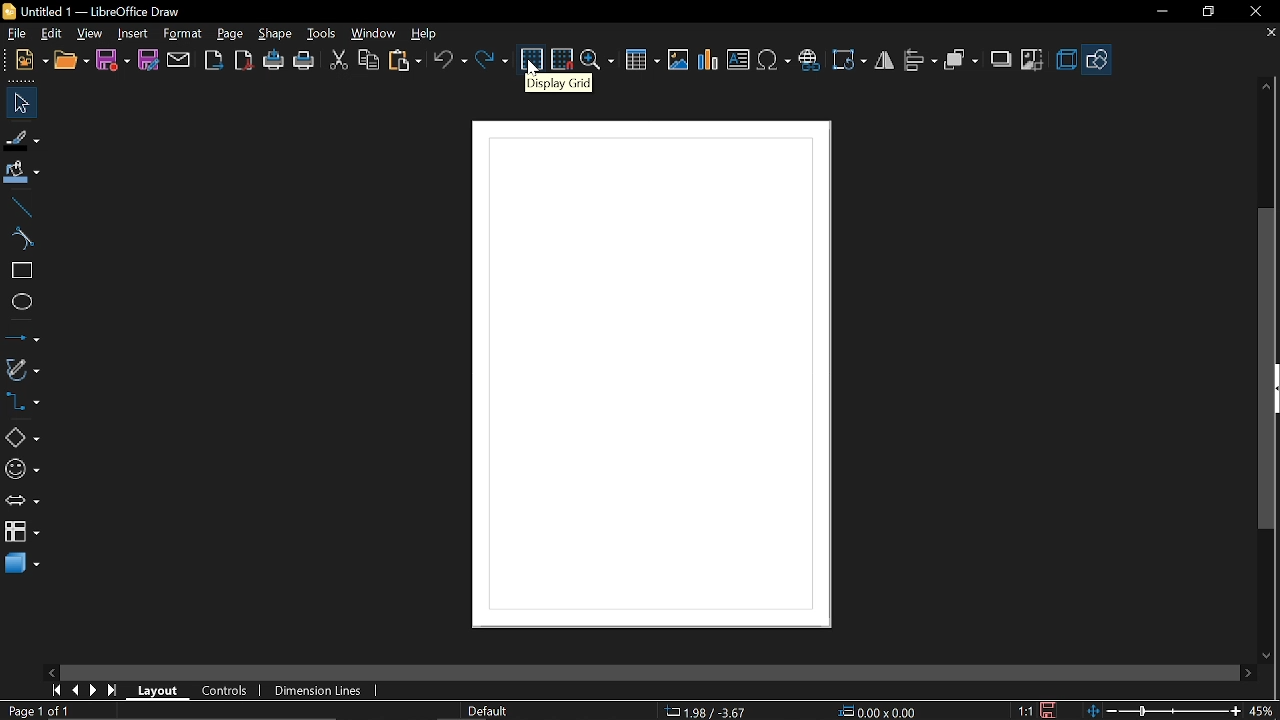 Image resolution: width=1280 pixels, height=720 pixels. I want to click on restore down, so click(1207, 13).